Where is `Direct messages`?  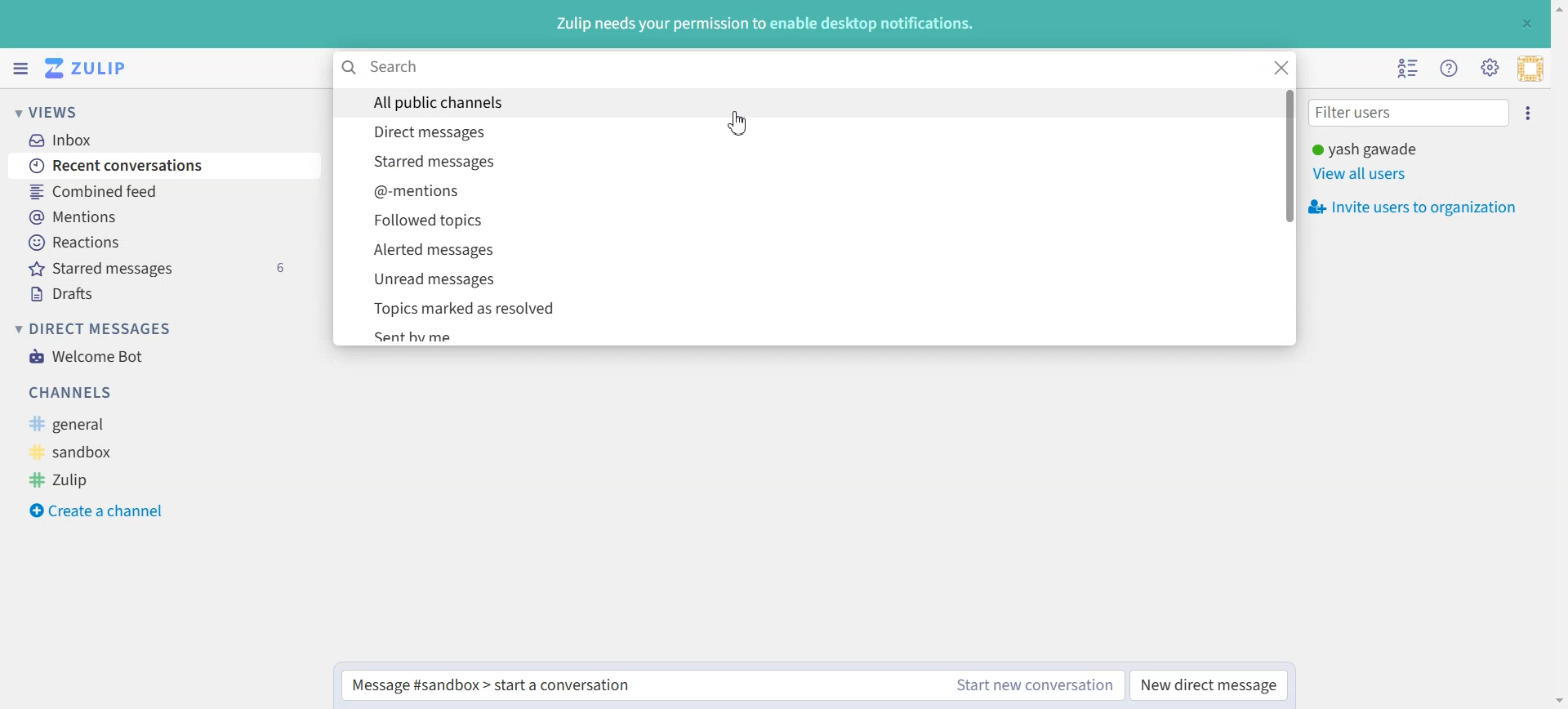
Direct messages is located at coordinates (800, 130).